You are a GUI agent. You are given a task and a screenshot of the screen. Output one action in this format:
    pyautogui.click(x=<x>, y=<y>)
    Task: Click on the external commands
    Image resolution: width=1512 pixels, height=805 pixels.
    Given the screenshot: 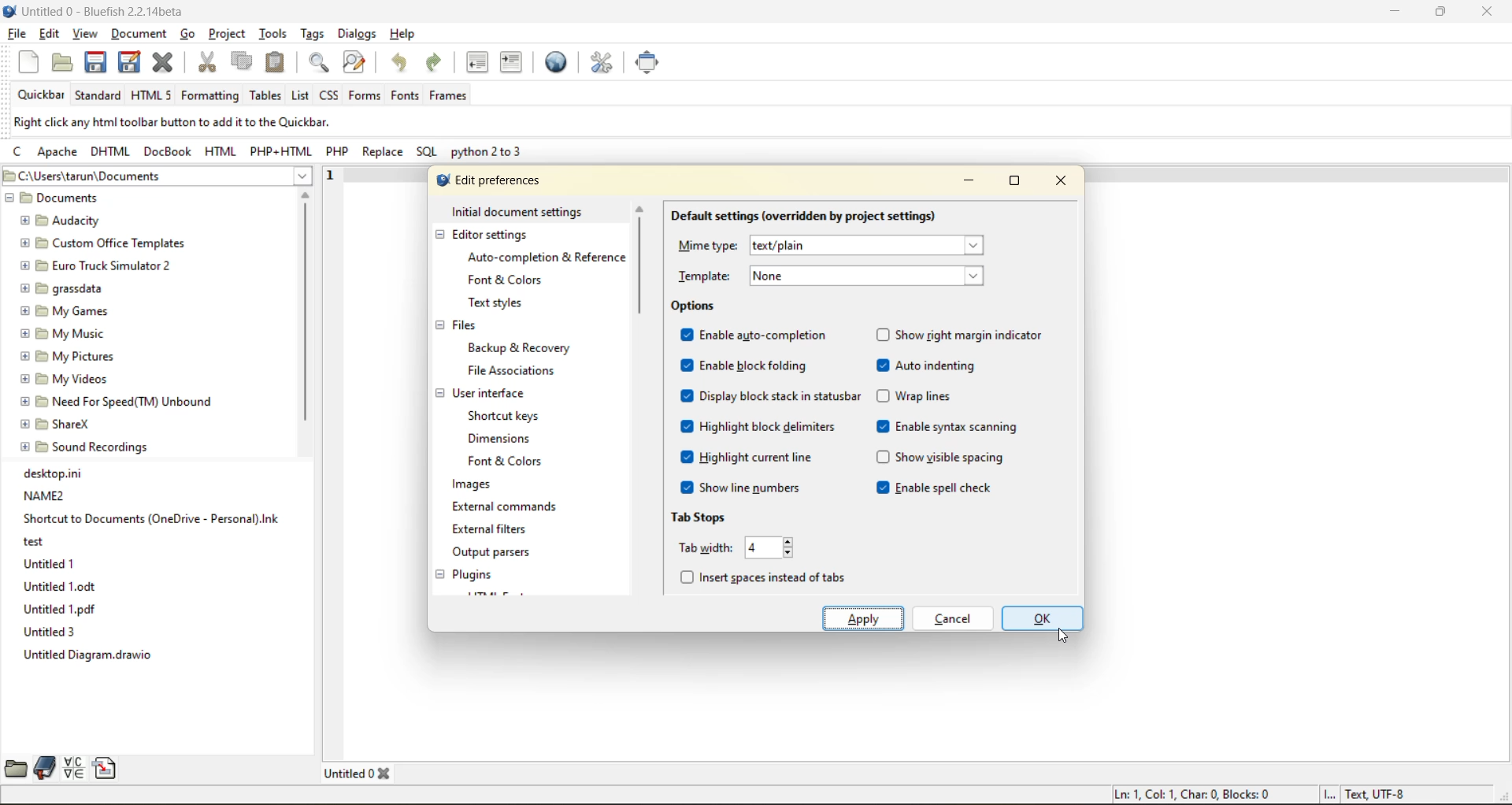 What is the action you would take?
    pyautogui.click(x=504, y=510)
    